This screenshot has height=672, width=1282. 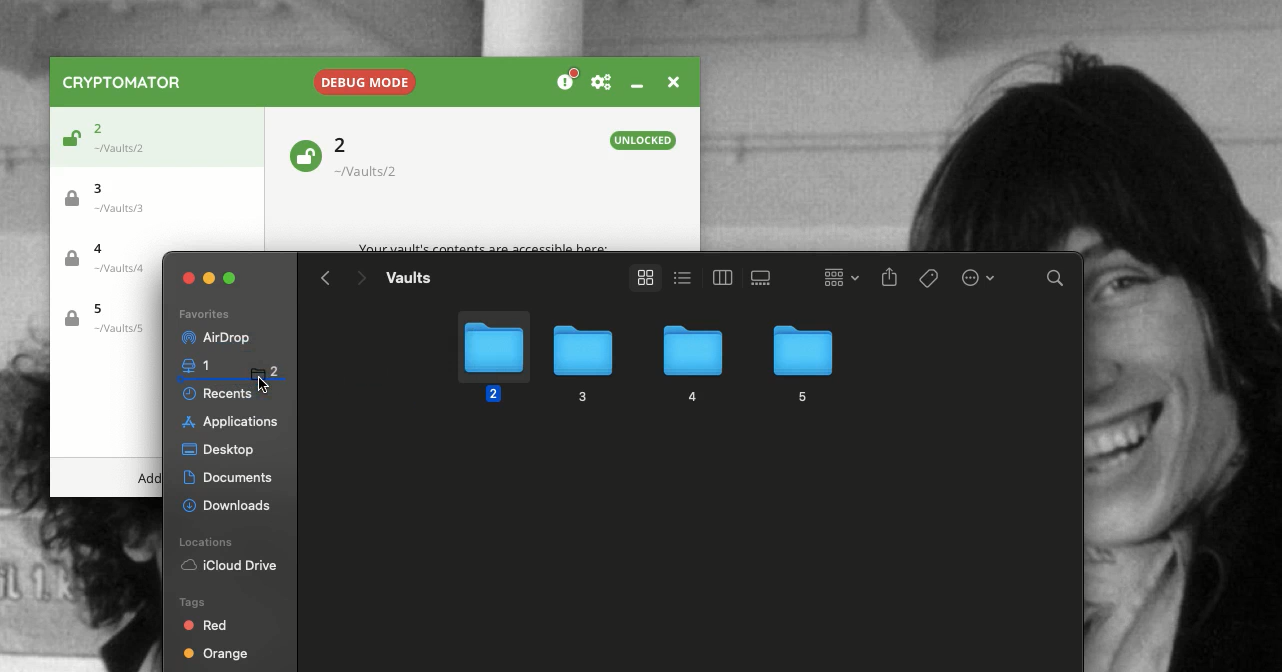 What do you see at coordinates (249, 373) in the screenshot?
I see `Dropping 2 to favorites` at bounding box center [249, 373].